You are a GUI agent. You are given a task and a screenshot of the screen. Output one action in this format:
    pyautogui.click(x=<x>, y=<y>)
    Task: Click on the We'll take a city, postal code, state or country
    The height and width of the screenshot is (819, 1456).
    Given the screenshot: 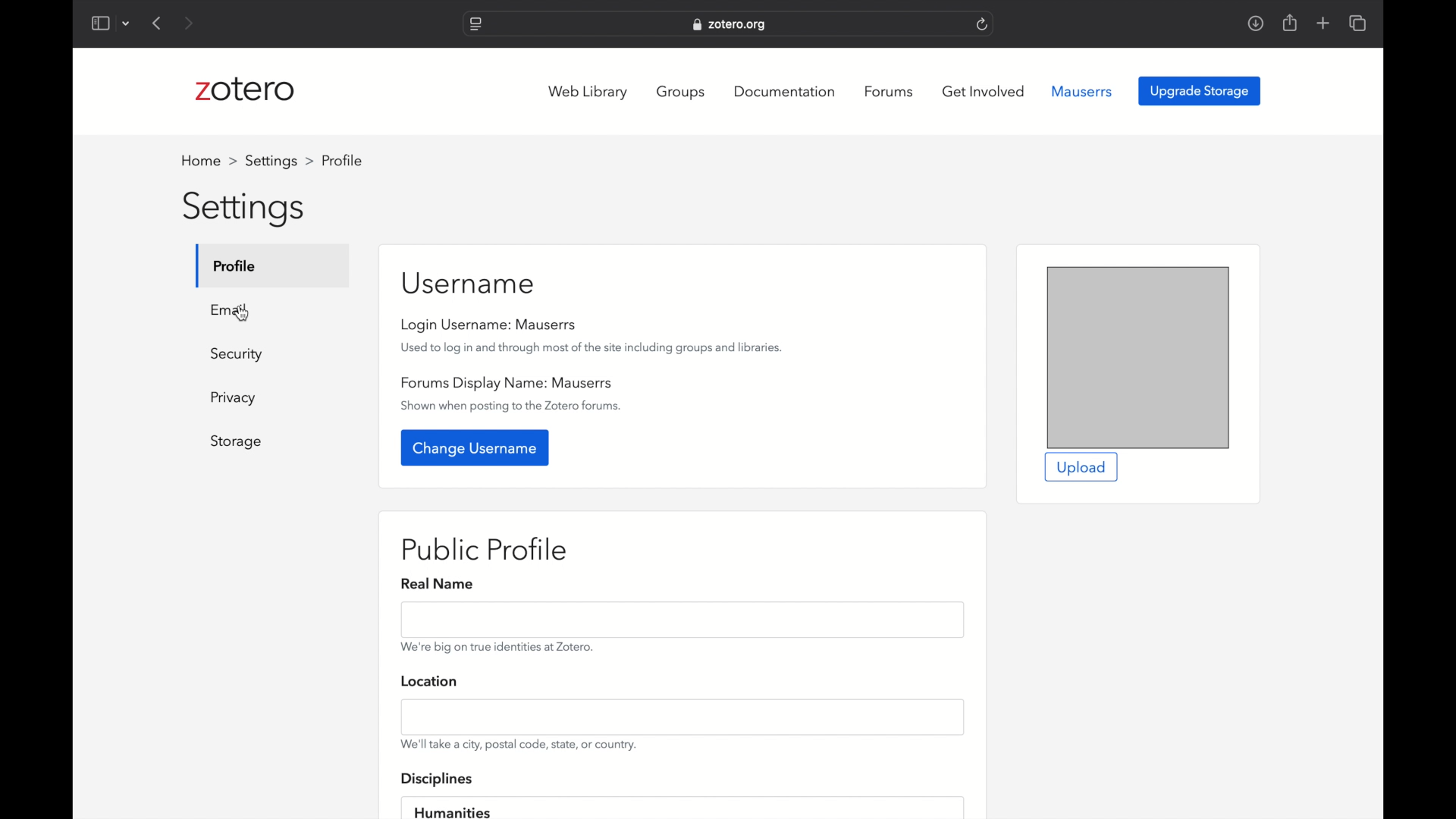 What is the action you would take?
    pyautogui.click(x=518, y=745)
    